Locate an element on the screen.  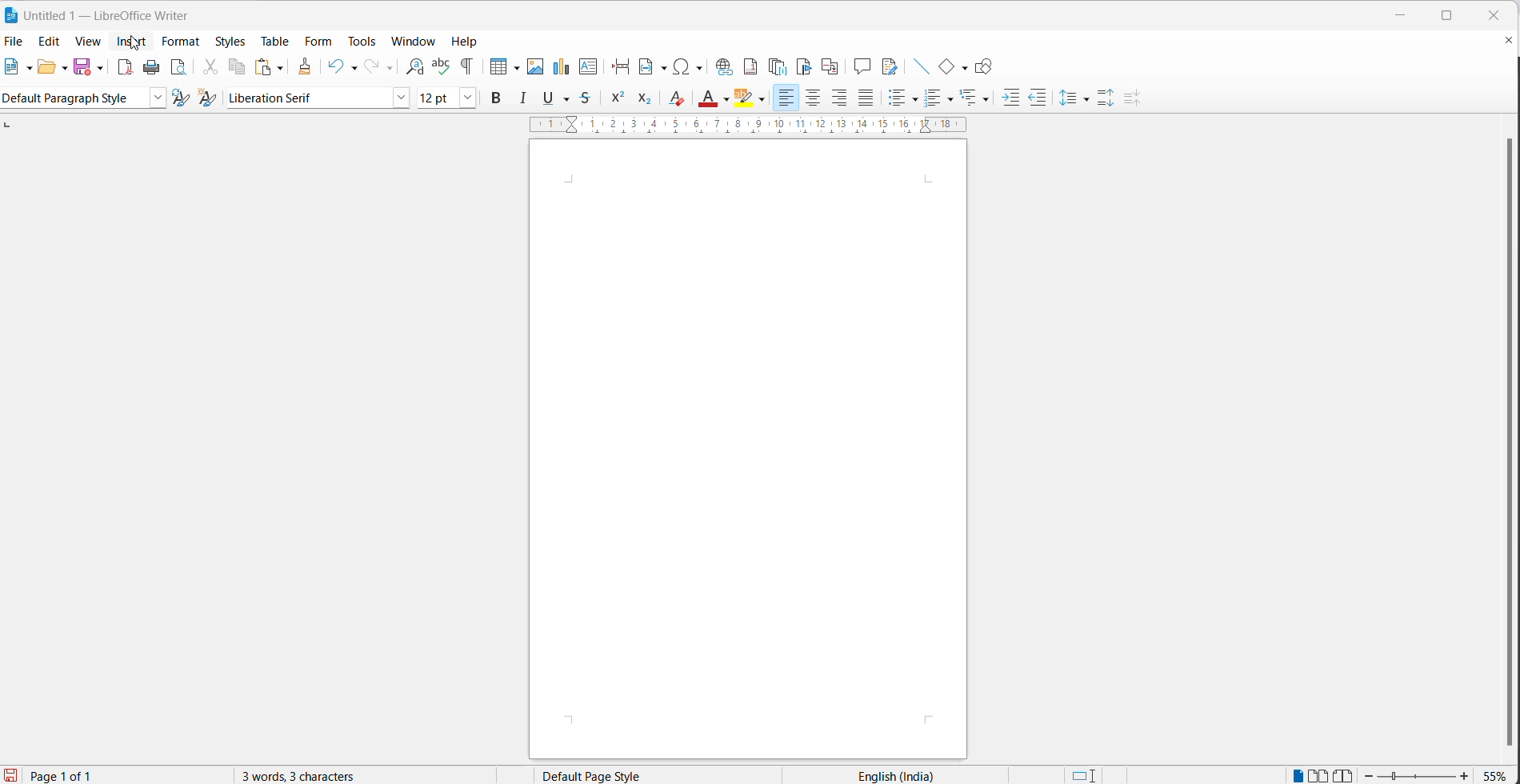
increase indent is located at coordinates (1010, 98).